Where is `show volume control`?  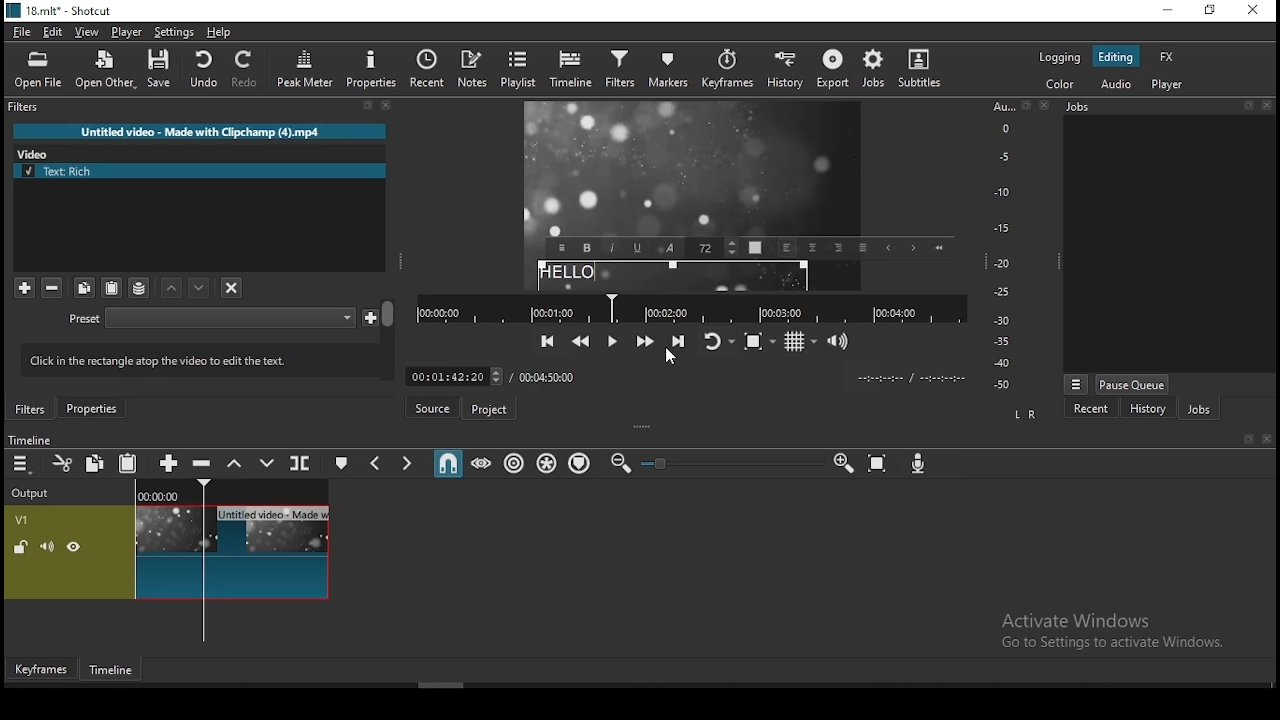 show volume control is located at coordinates (839, 340).